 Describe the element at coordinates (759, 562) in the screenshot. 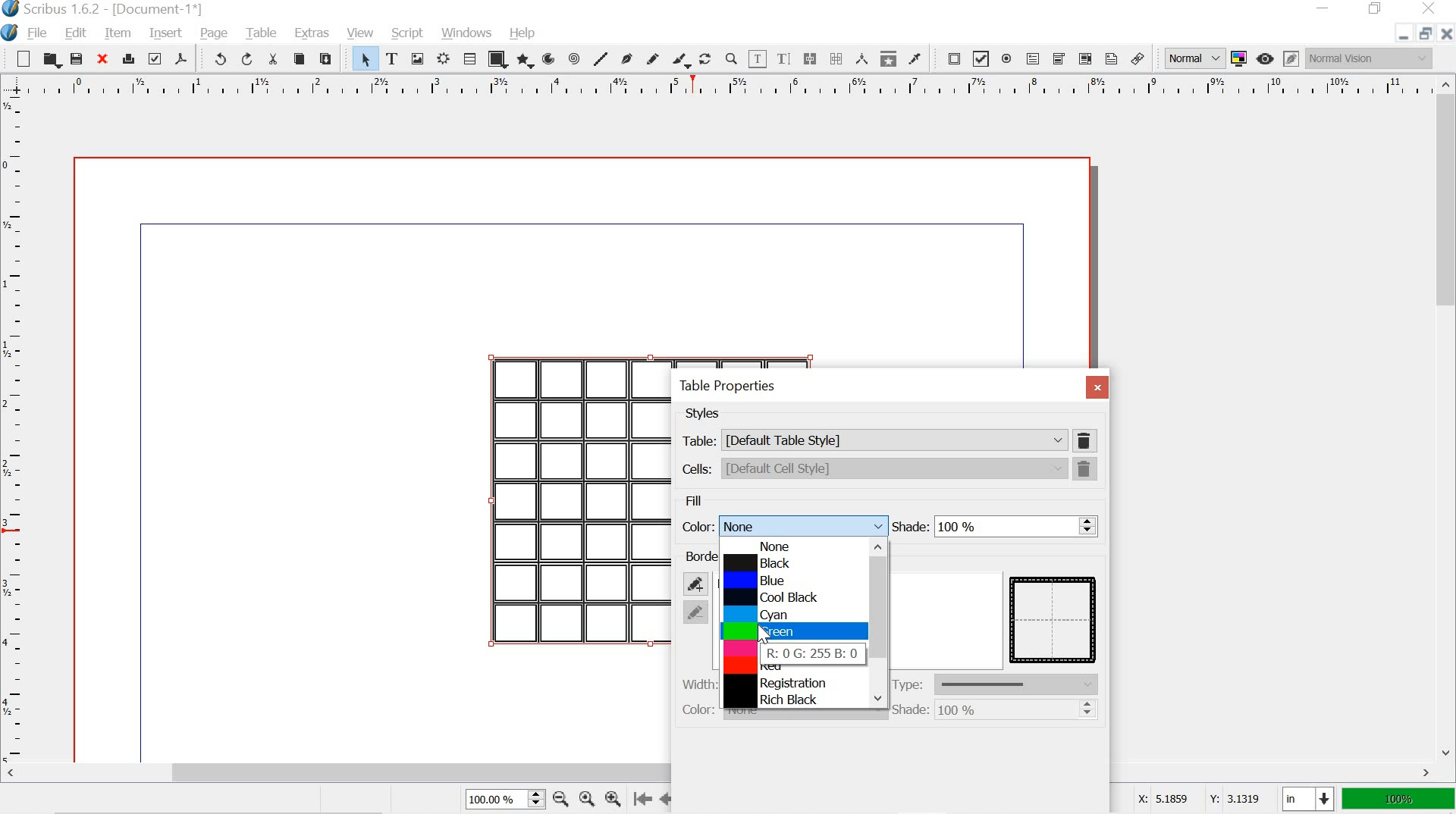

I see `black` at that location.